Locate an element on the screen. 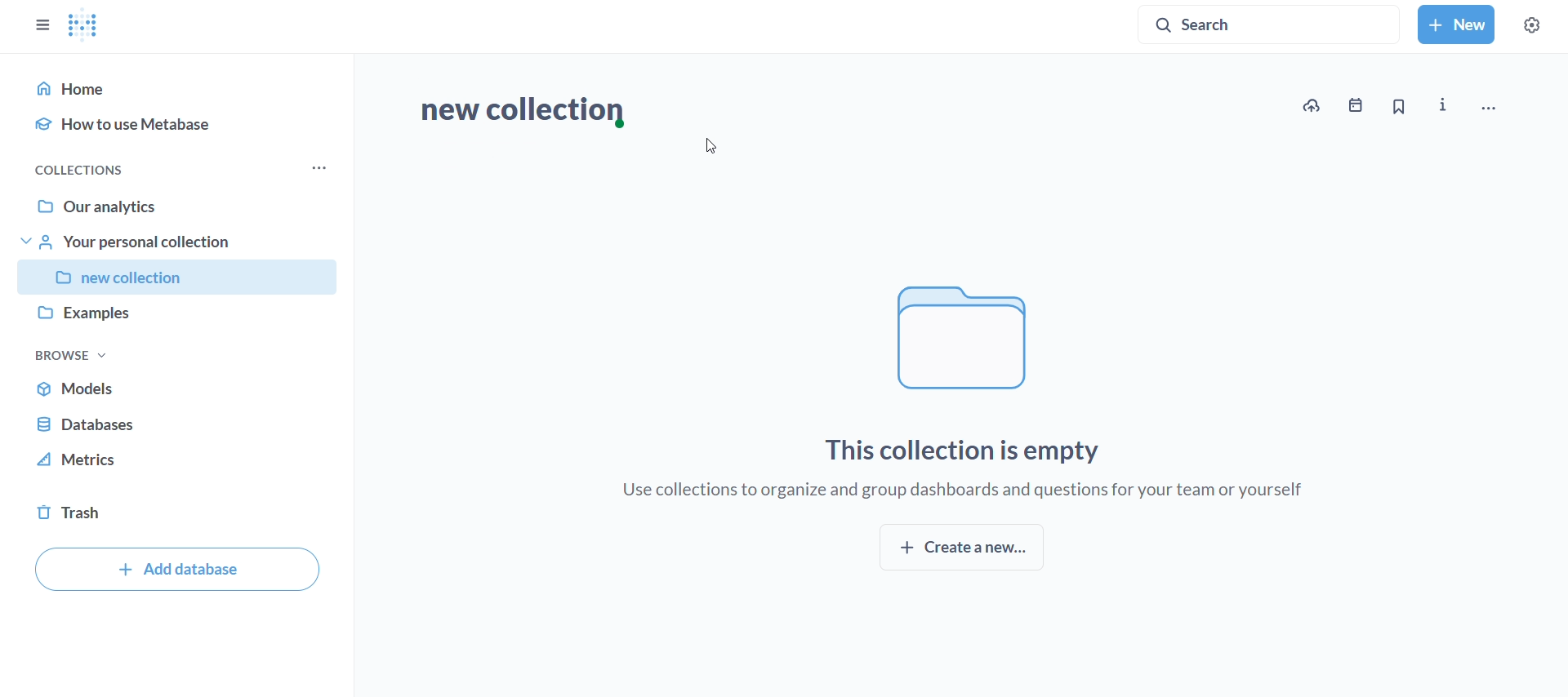  close sidebar is located at coordinates (36, 21).